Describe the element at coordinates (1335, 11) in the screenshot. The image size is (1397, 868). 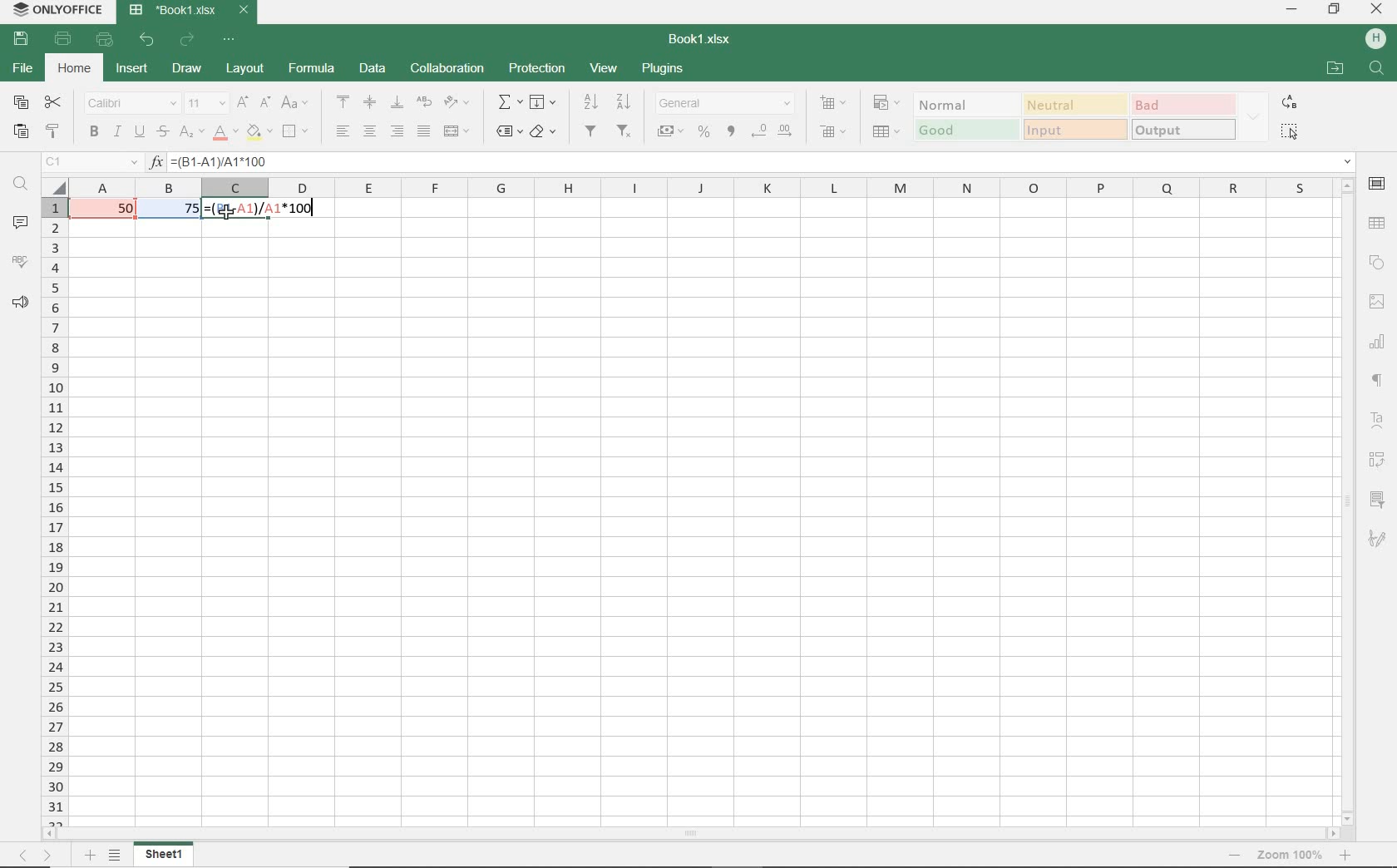
I see `restore` at that location.